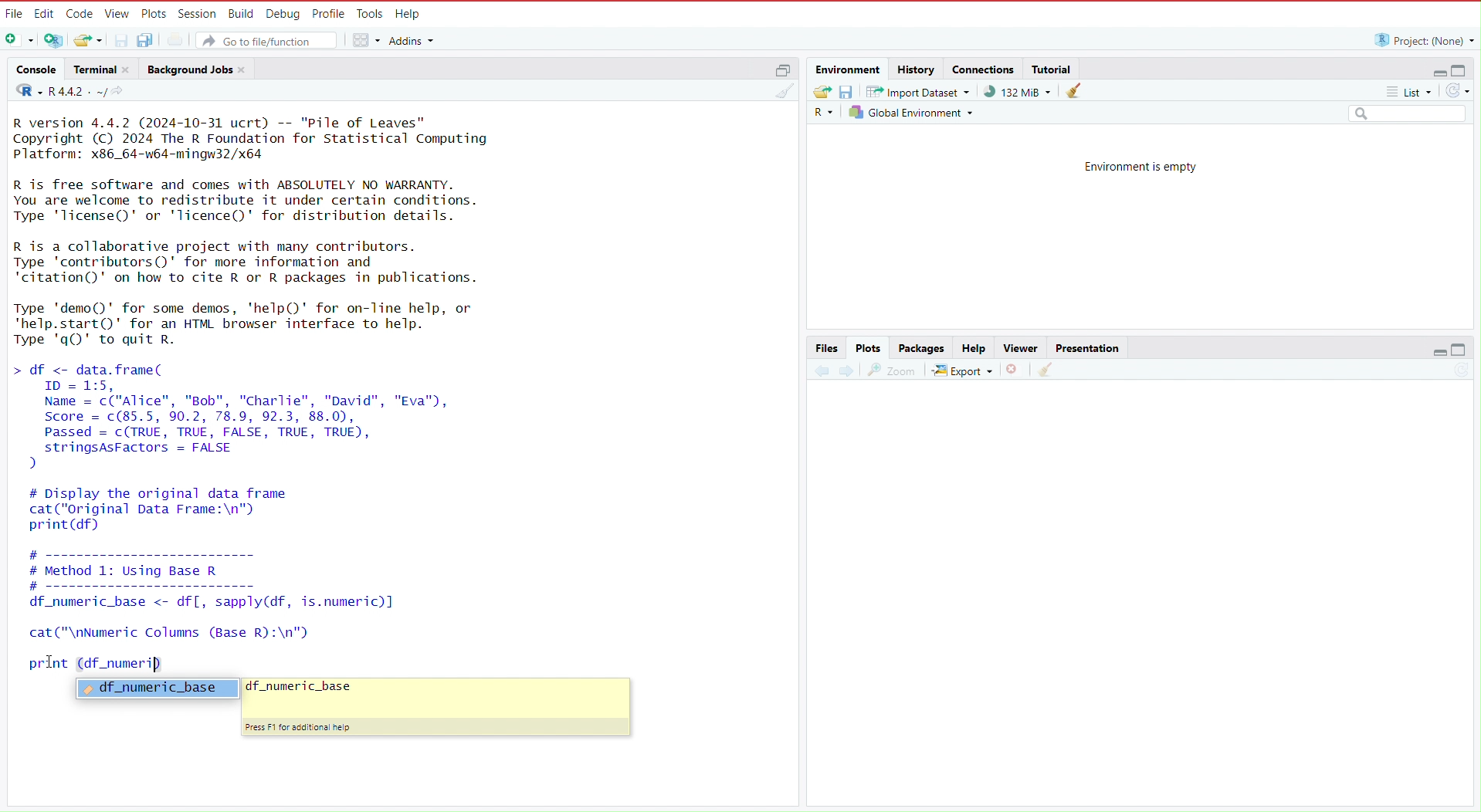  Describe the element at coordinates (329, 12) in the screenshot. I see `Profile` at that location.